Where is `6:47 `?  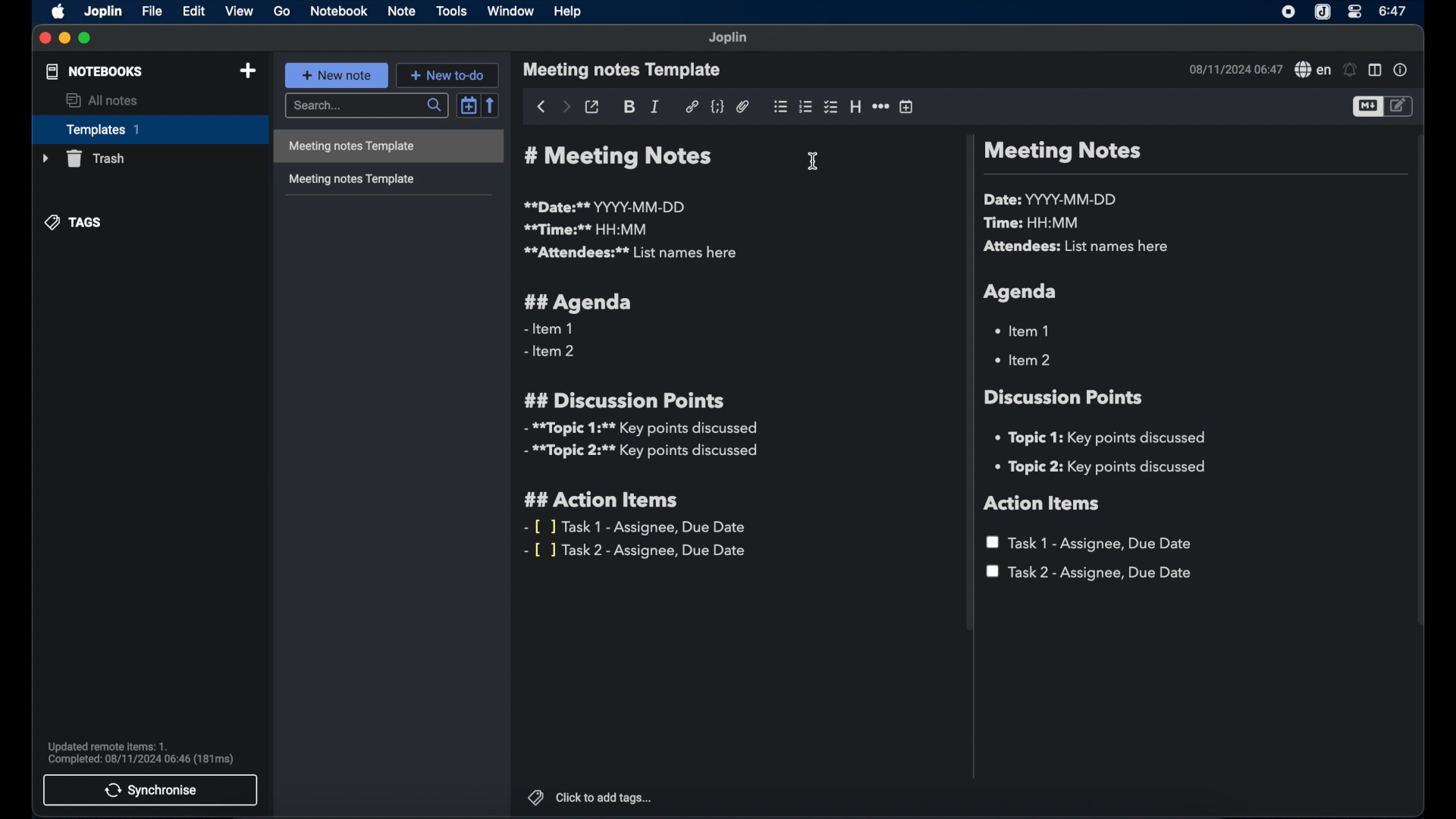 6:47  is located at coordinates (1392, 11).